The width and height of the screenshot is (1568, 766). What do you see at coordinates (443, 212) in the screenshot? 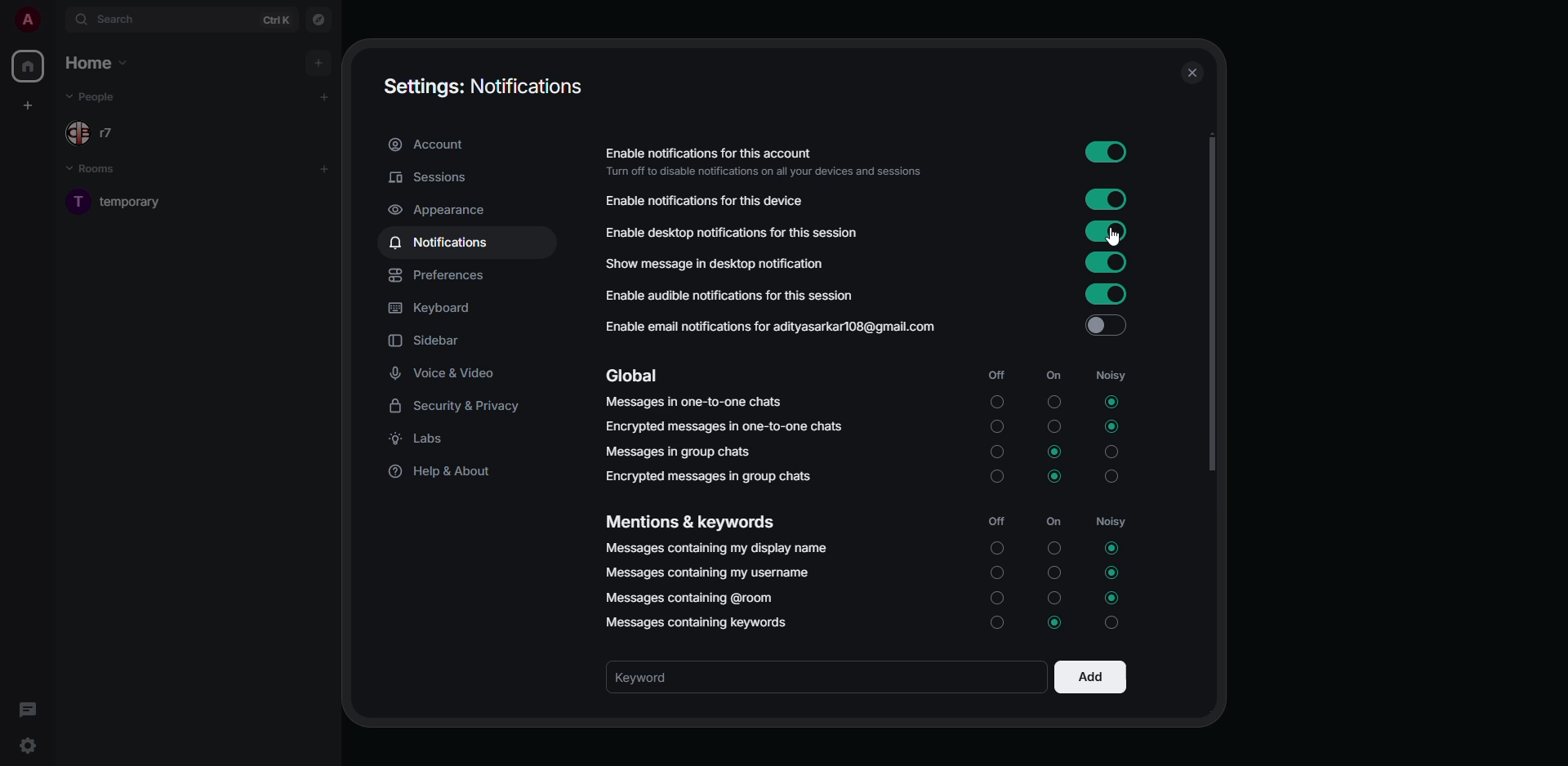
I see `appearance` at bounding box center [443, 212].